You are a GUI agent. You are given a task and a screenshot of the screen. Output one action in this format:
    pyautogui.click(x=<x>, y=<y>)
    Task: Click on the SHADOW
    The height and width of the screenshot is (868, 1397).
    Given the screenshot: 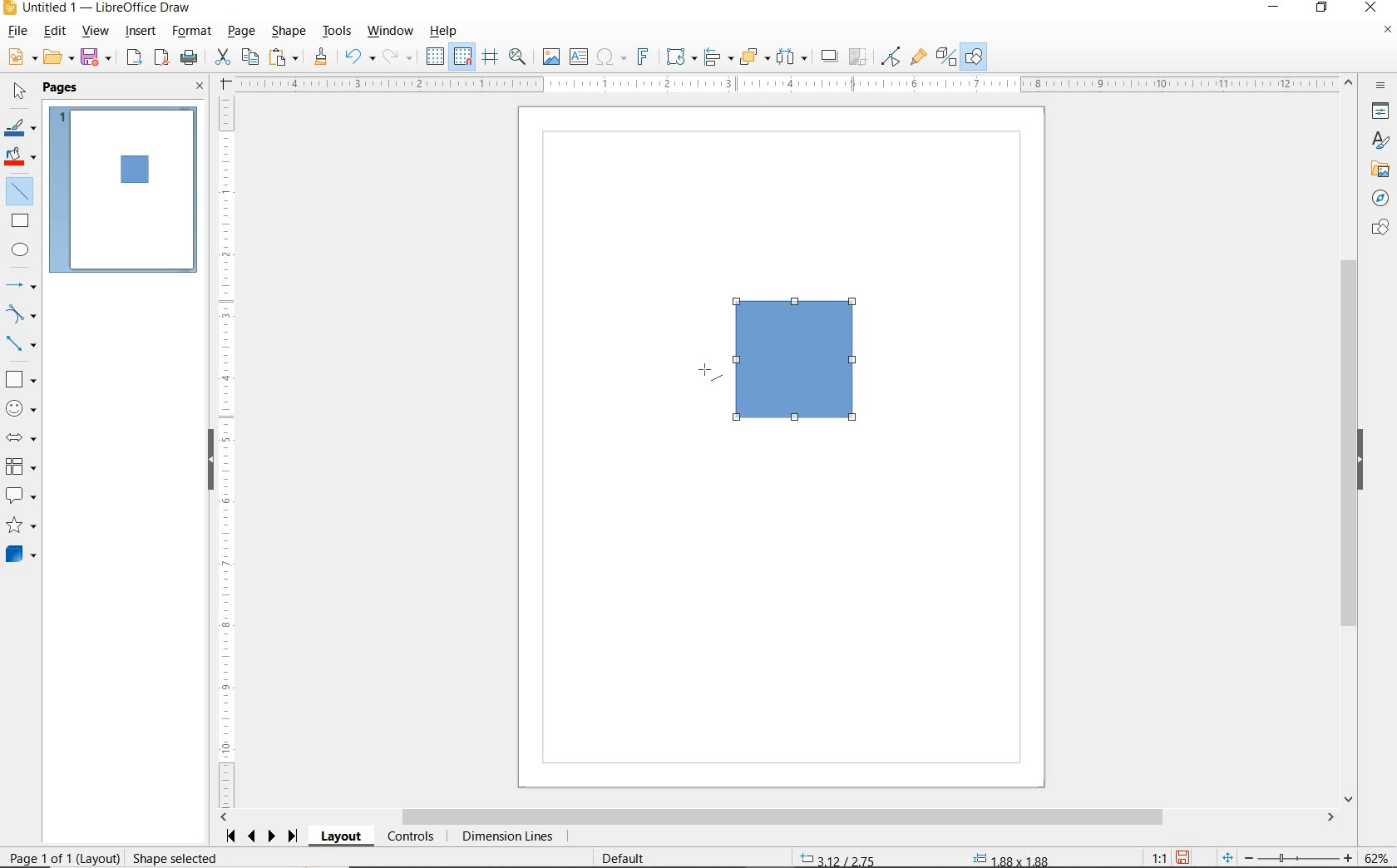 What is the action you would take?
    pyautogui.click(x=830, y=57)
    